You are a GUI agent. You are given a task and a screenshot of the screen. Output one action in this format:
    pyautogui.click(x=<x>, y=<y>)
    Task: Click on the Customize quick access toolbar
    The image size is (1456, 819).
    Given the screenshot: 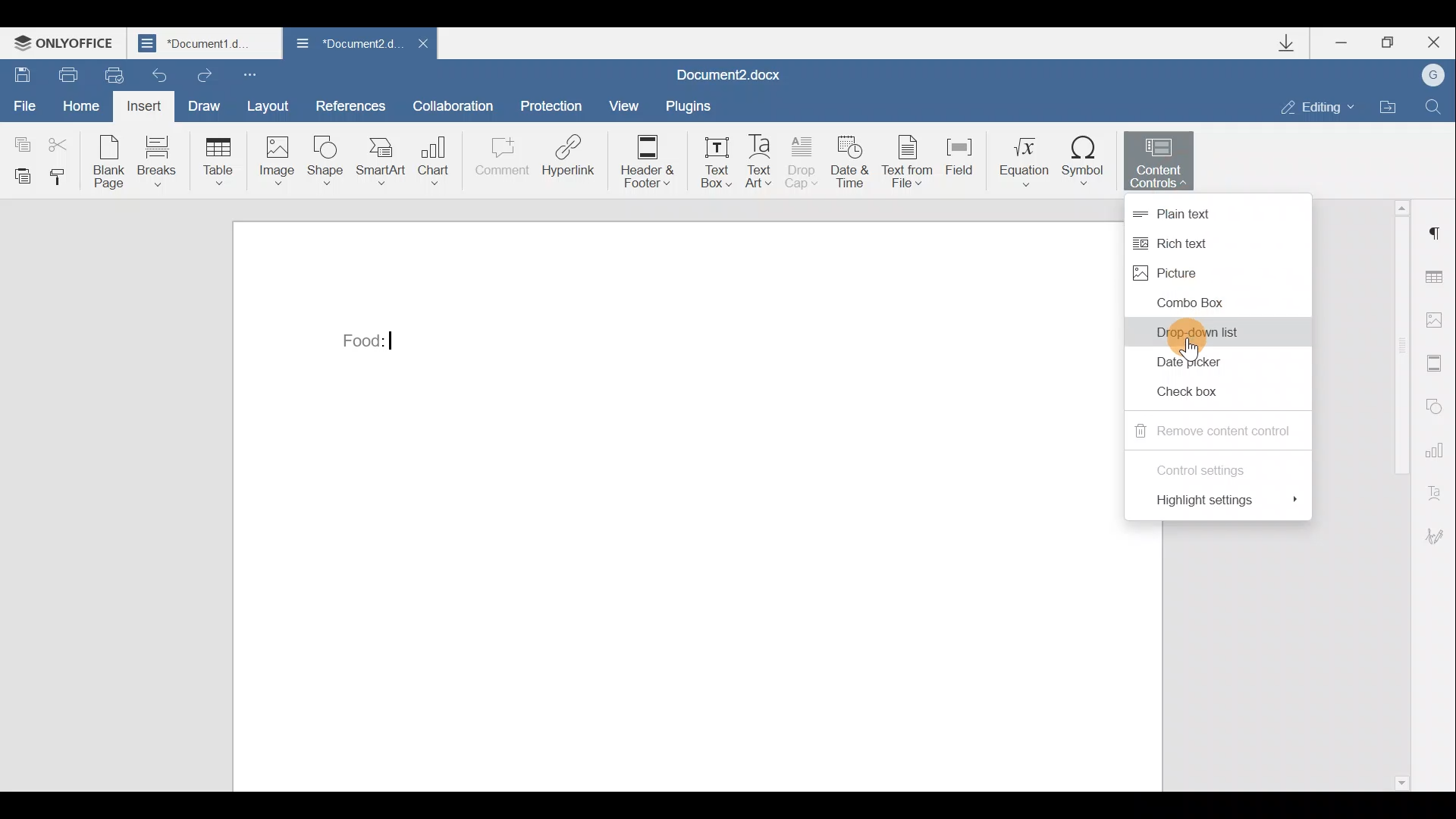 What is the action you would take?
    pyautogui.click(x=253, y=74)
    